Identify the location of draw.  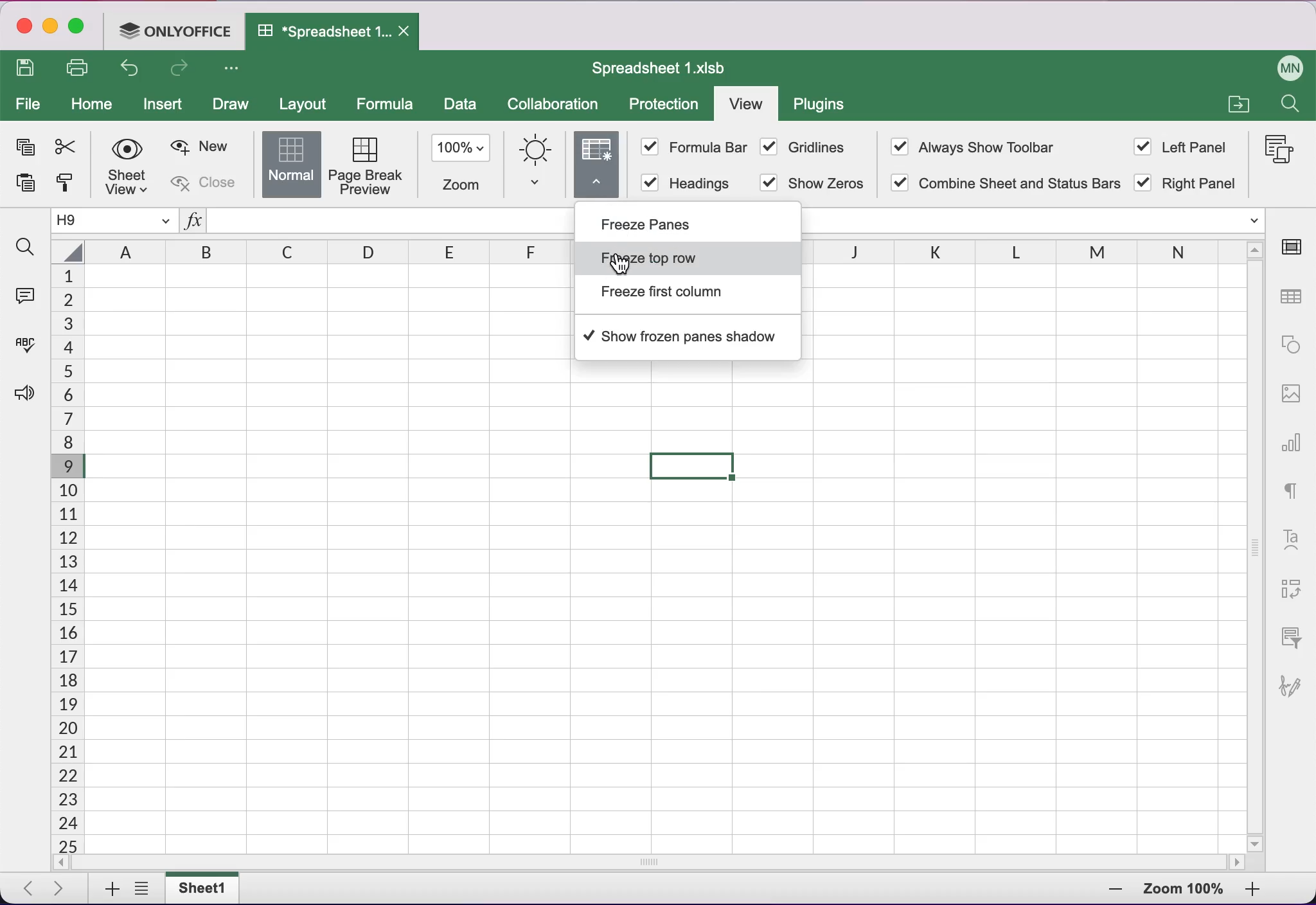
(235, 105).